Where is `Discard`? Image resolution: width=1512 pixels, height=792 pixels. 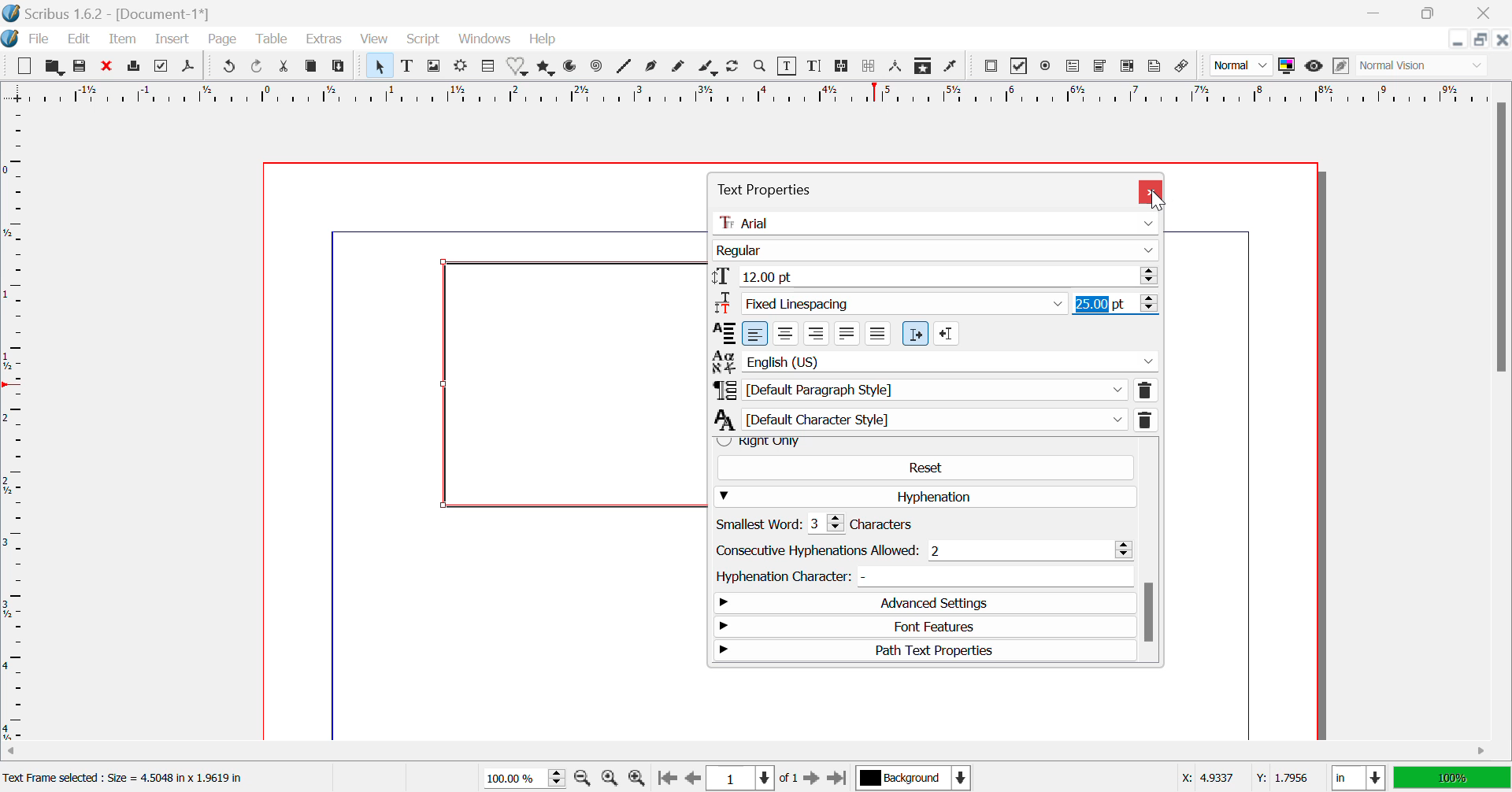 Discard is located at coordinates (107, 66).